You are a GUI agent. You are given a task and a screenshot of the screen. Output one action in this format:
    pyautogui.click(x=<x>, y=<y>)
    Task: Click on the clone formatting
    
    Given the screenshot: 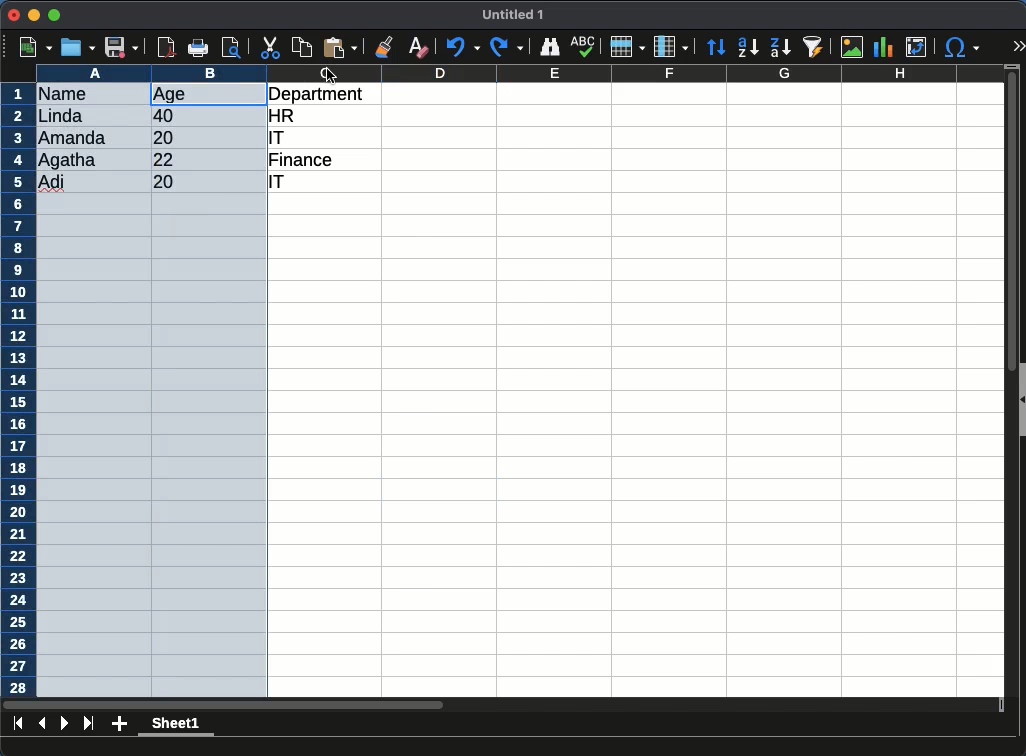 What is the action you would take?
    pyautogui.click(x=386, y=46)
    